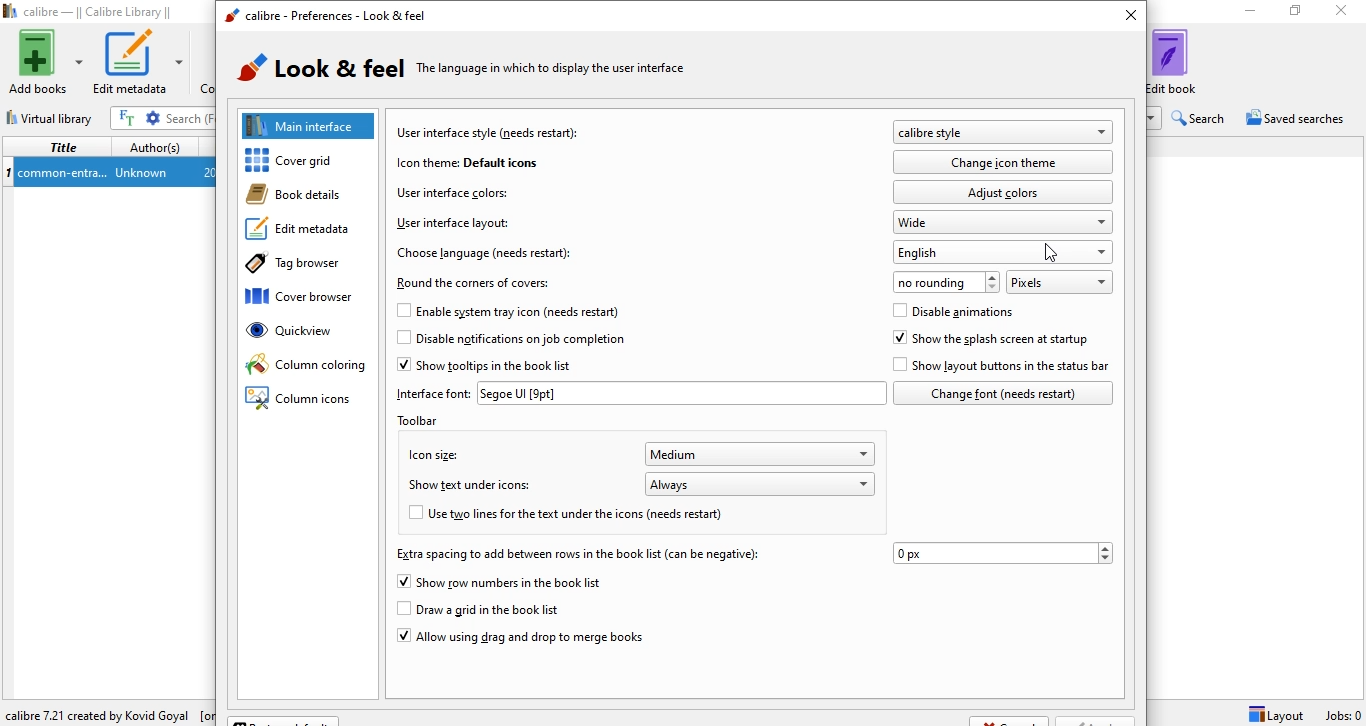  Describe the element at coordinates (190, 118) in the screenshot. I see `Search bar` at that location.